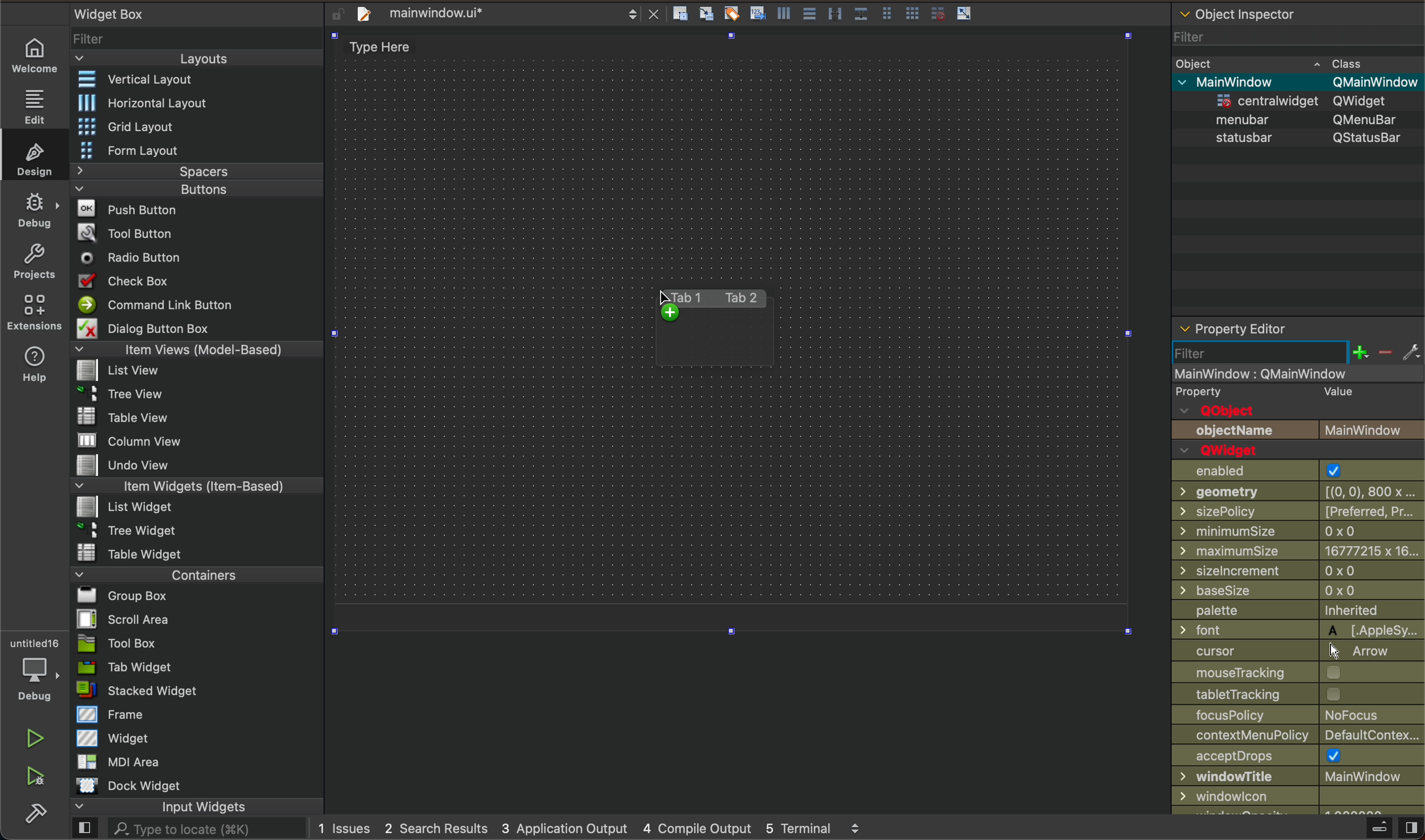  I want to click on input widgets, so click(199, 808).